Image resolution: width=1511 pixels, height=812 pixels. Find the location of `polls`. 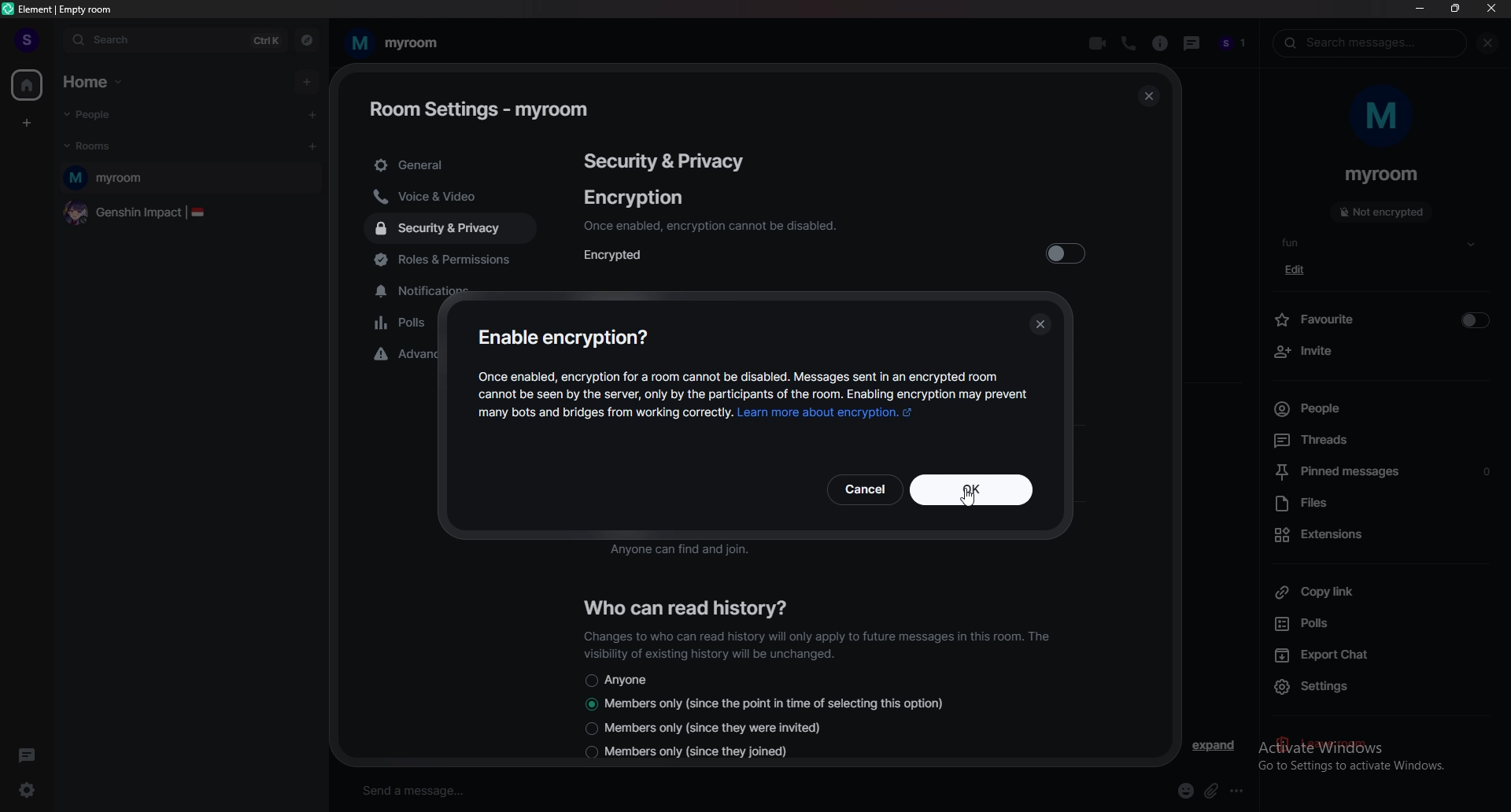

polls is located at coordinates (1382, 622).